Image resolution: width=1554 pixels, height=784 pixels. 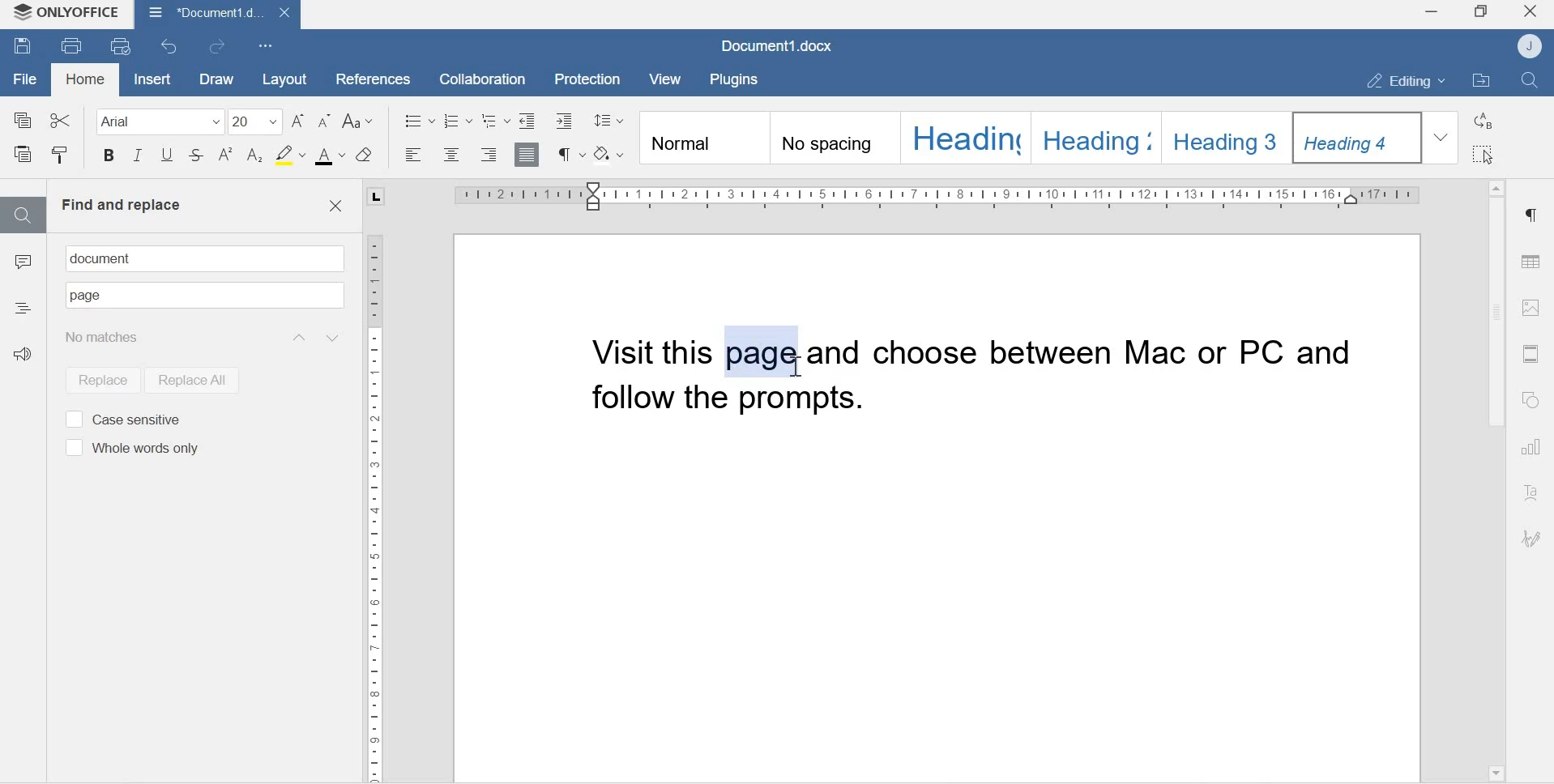 I want to click on Text, so click(x=1533, y=494).